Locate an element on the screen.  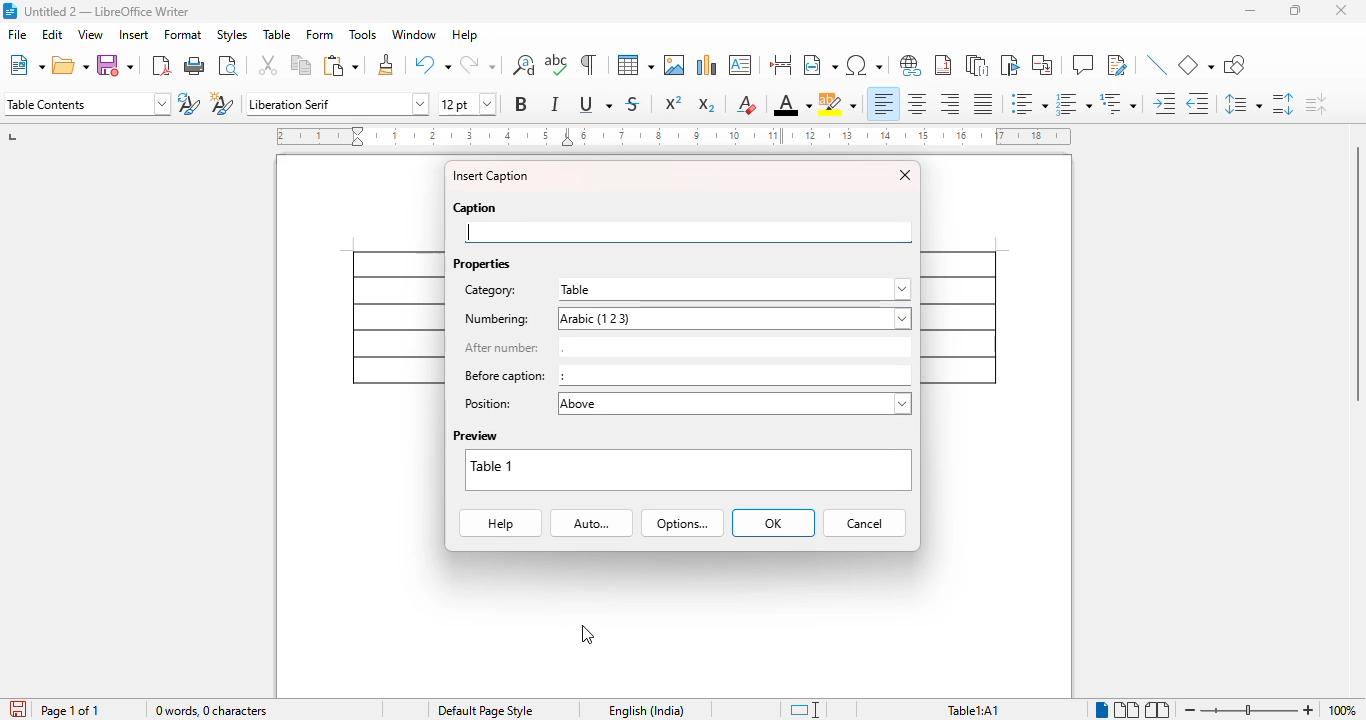
insert comment is located at coordinates (1083, 64).